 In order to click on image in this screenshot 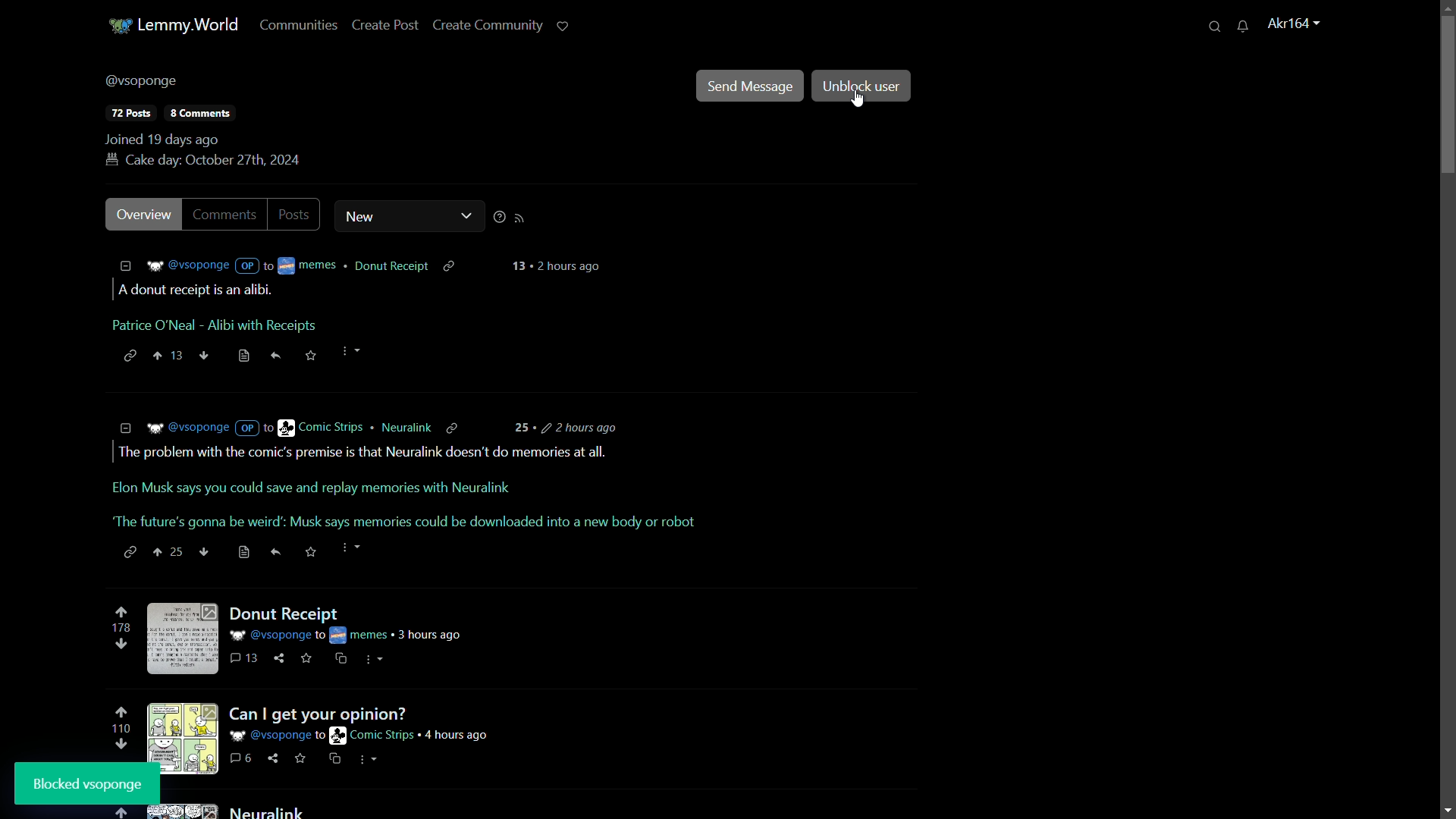, I will do `click(182, 813)`.